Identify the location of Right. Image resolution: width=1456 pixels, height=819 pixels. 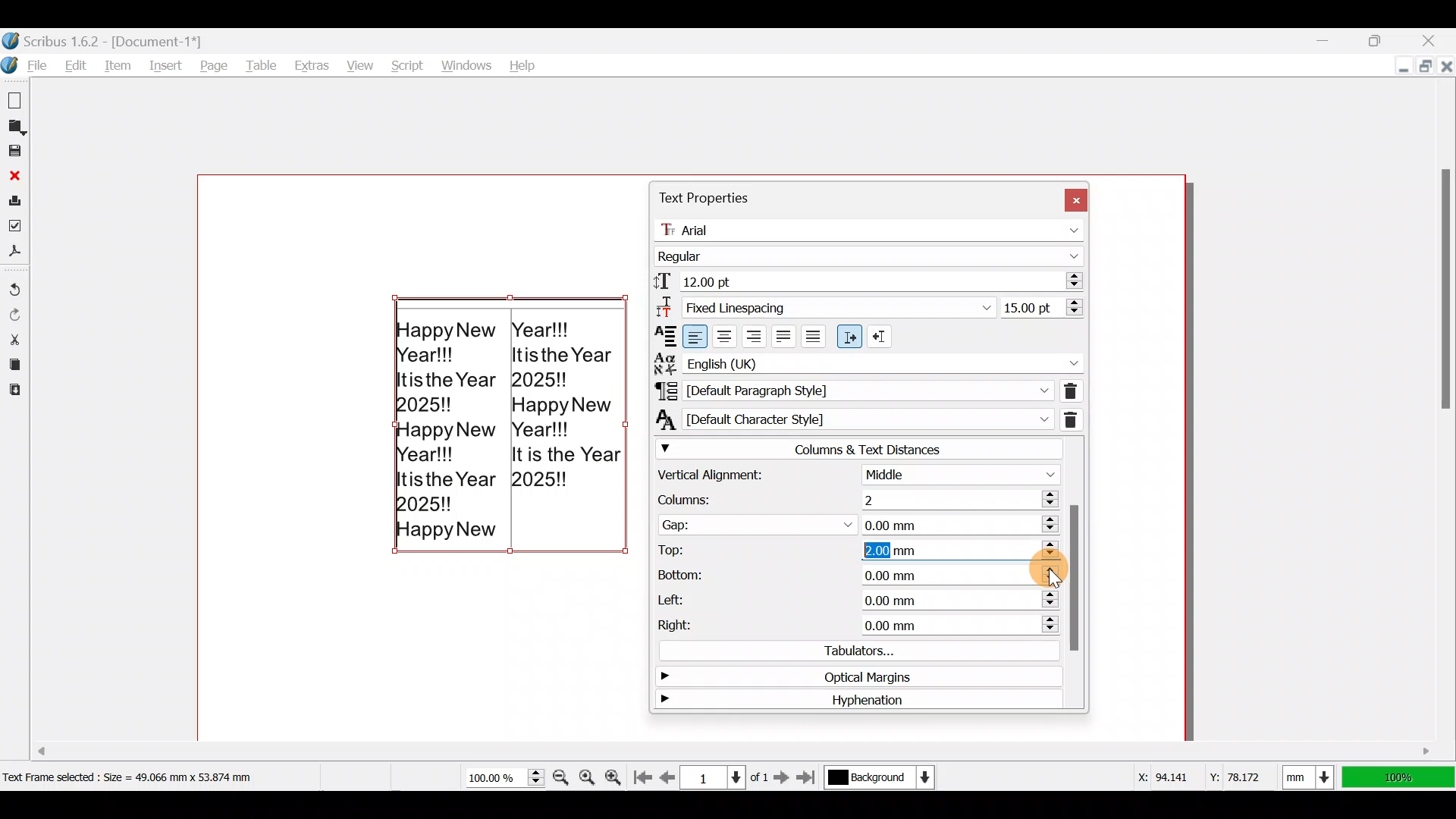
(852, 627).